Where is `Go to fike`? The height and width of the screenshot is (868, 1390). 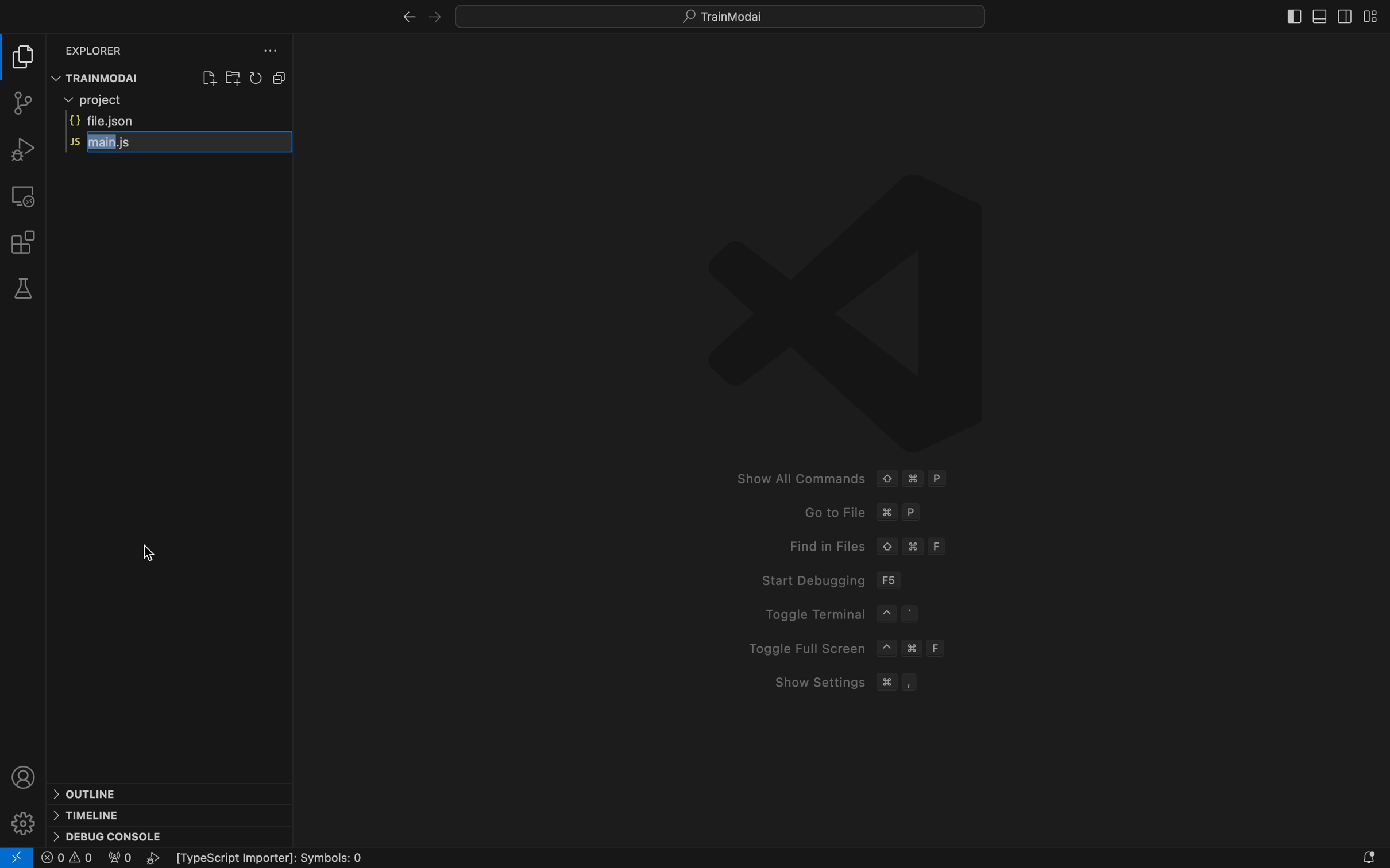 Go to fike is located at coordinates (862, 511).